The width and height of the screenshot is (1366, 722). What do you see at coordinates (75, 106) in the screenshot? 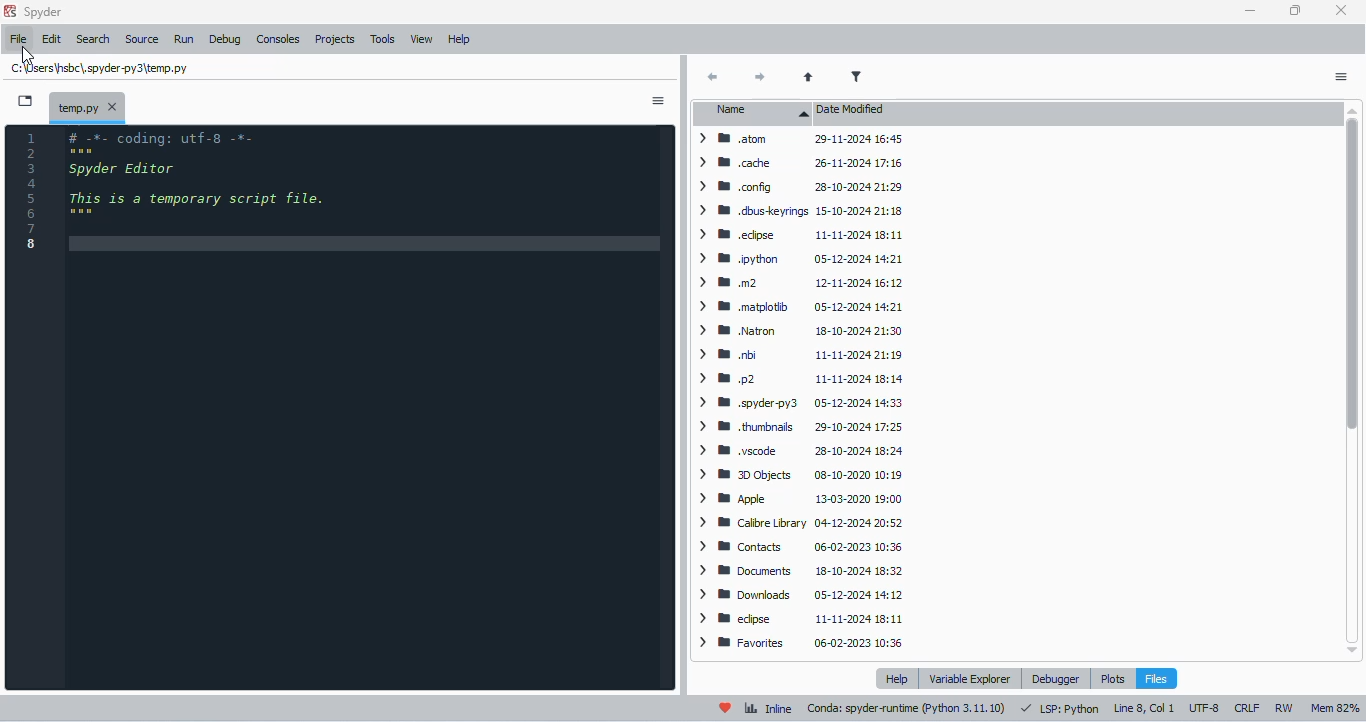
I see `temporary file` at bounding box center [75, 106].